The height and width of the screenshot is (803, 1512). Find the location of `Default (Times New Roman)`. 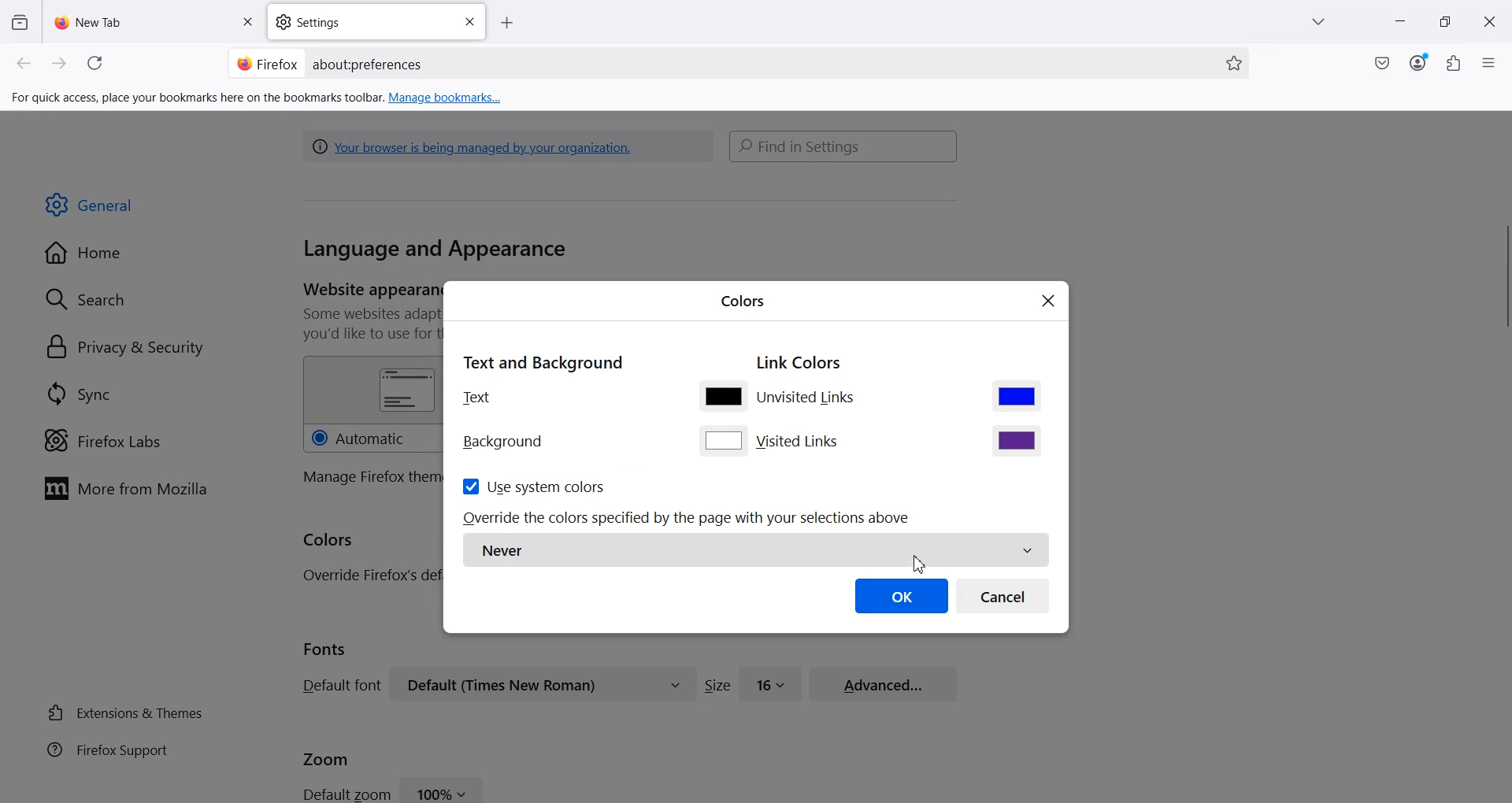

Default (Times New Roman) is located at coordinates (543, 684).